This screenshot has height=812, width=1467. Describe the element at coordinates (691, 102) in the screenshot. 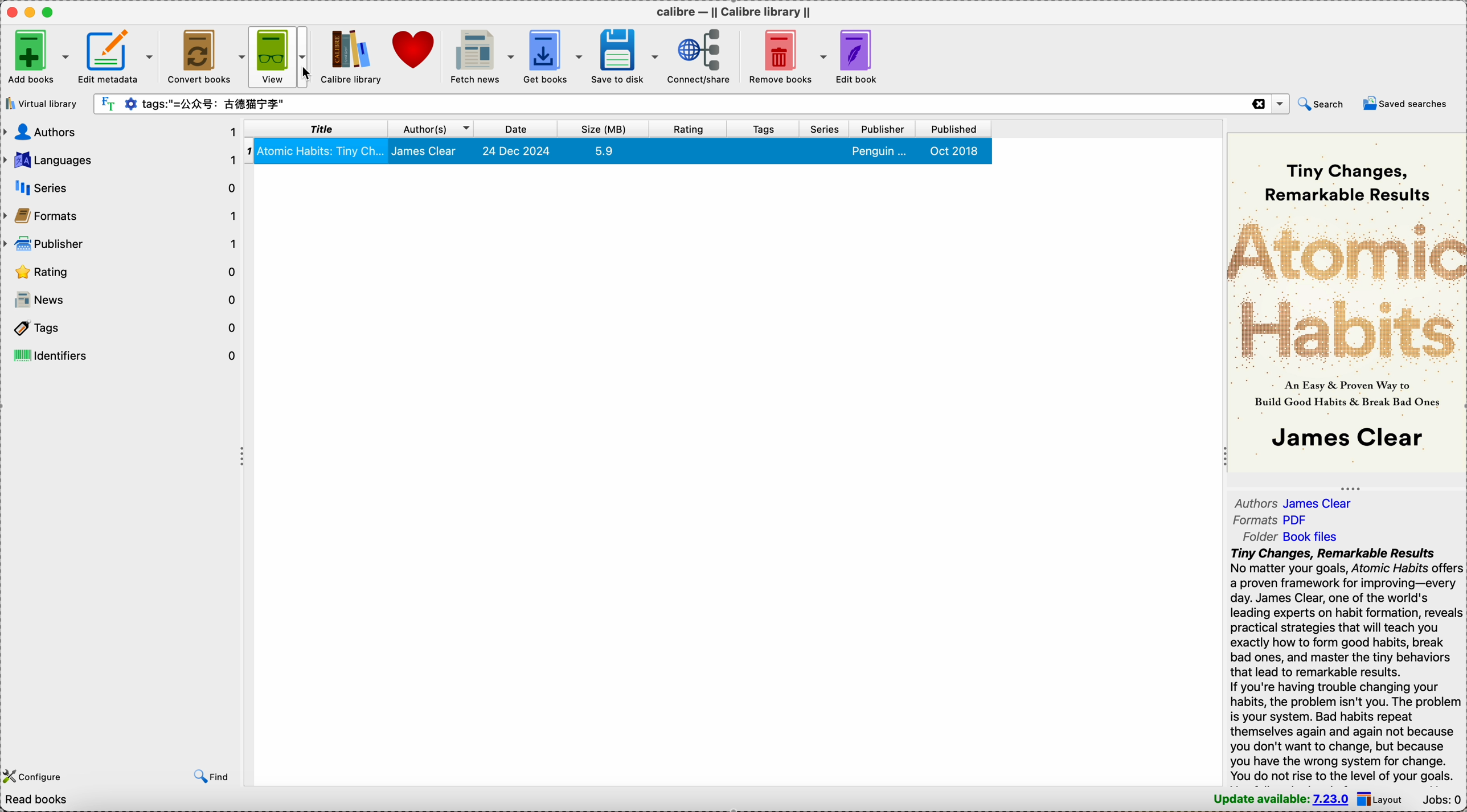

I see `search bar` at that location.